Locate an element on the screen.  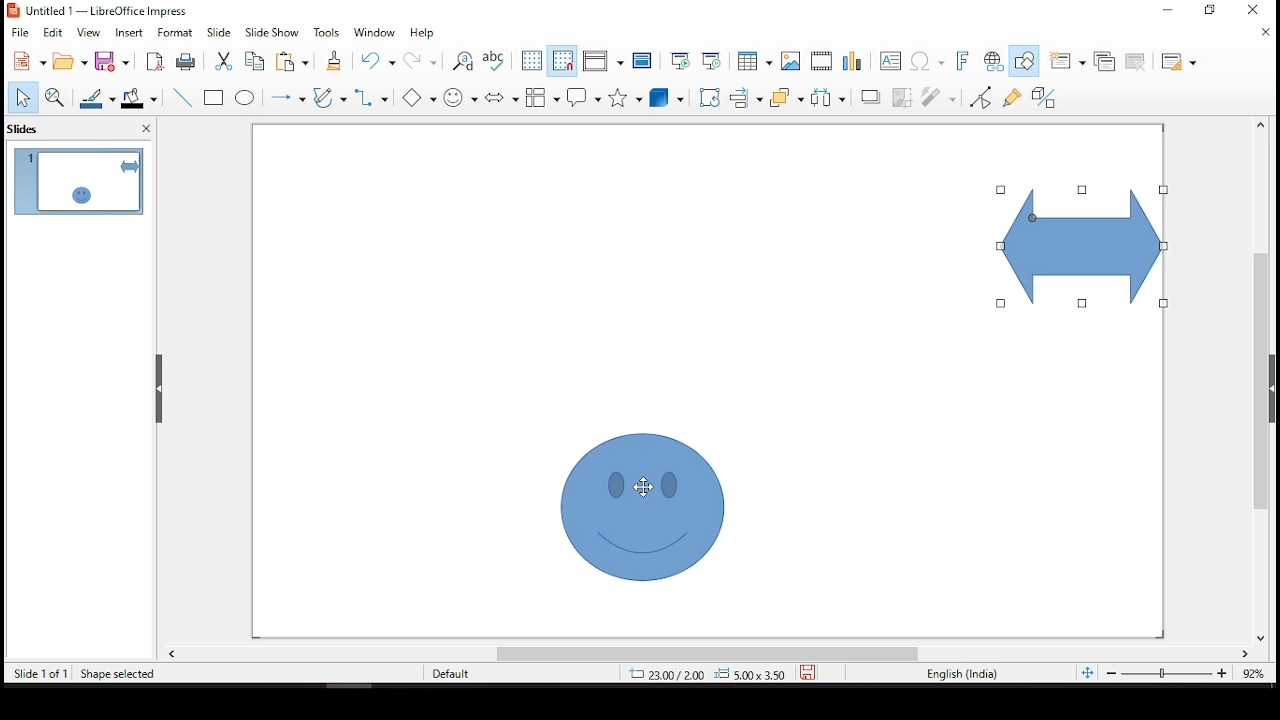
close pane is located at coordinates (148, 129).